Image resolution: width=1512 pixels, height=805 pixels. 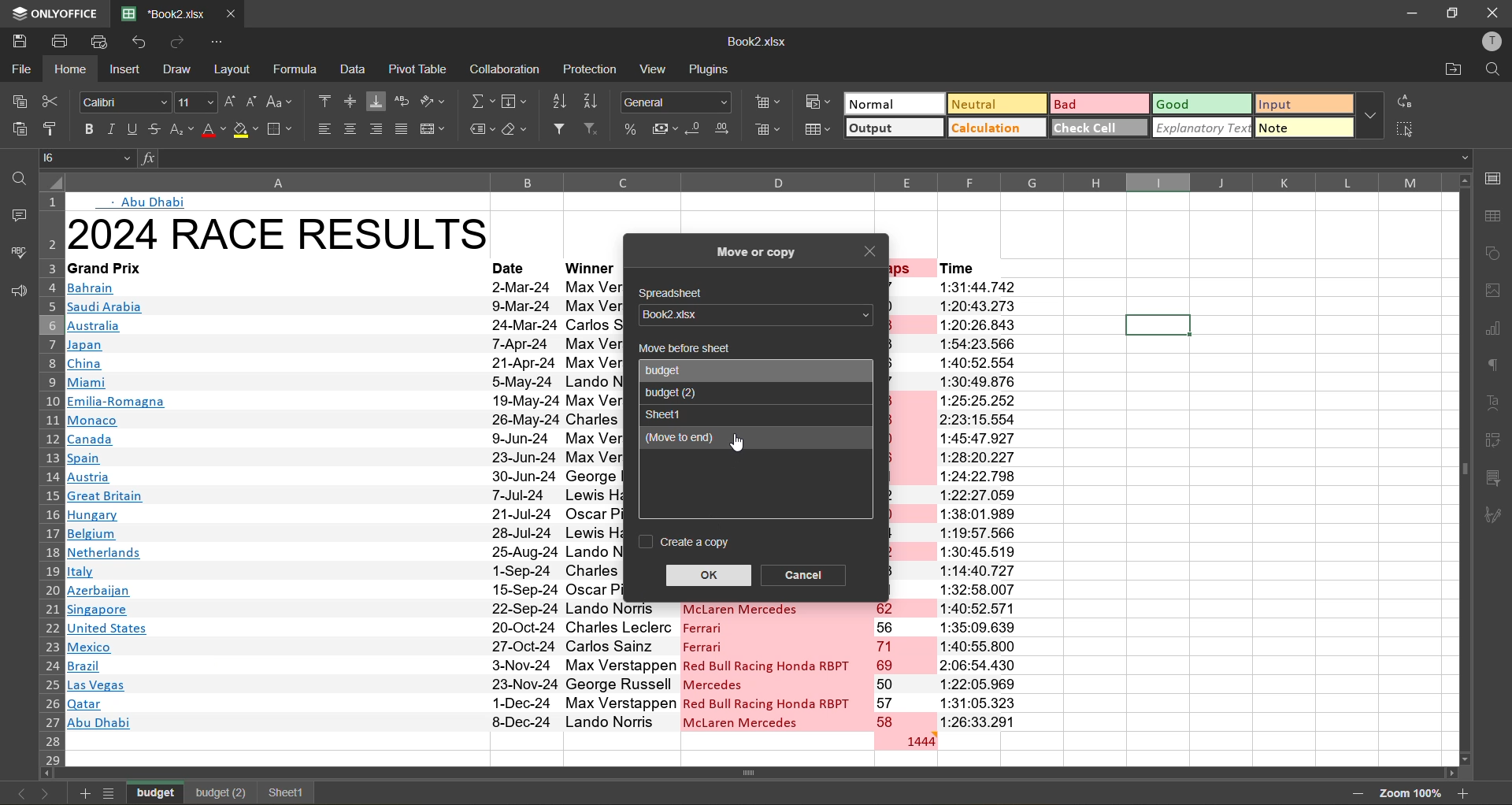 What do you see at coordinates (17, 129) in the screenshot?
I see `paste` at bounding box center [17, 129].